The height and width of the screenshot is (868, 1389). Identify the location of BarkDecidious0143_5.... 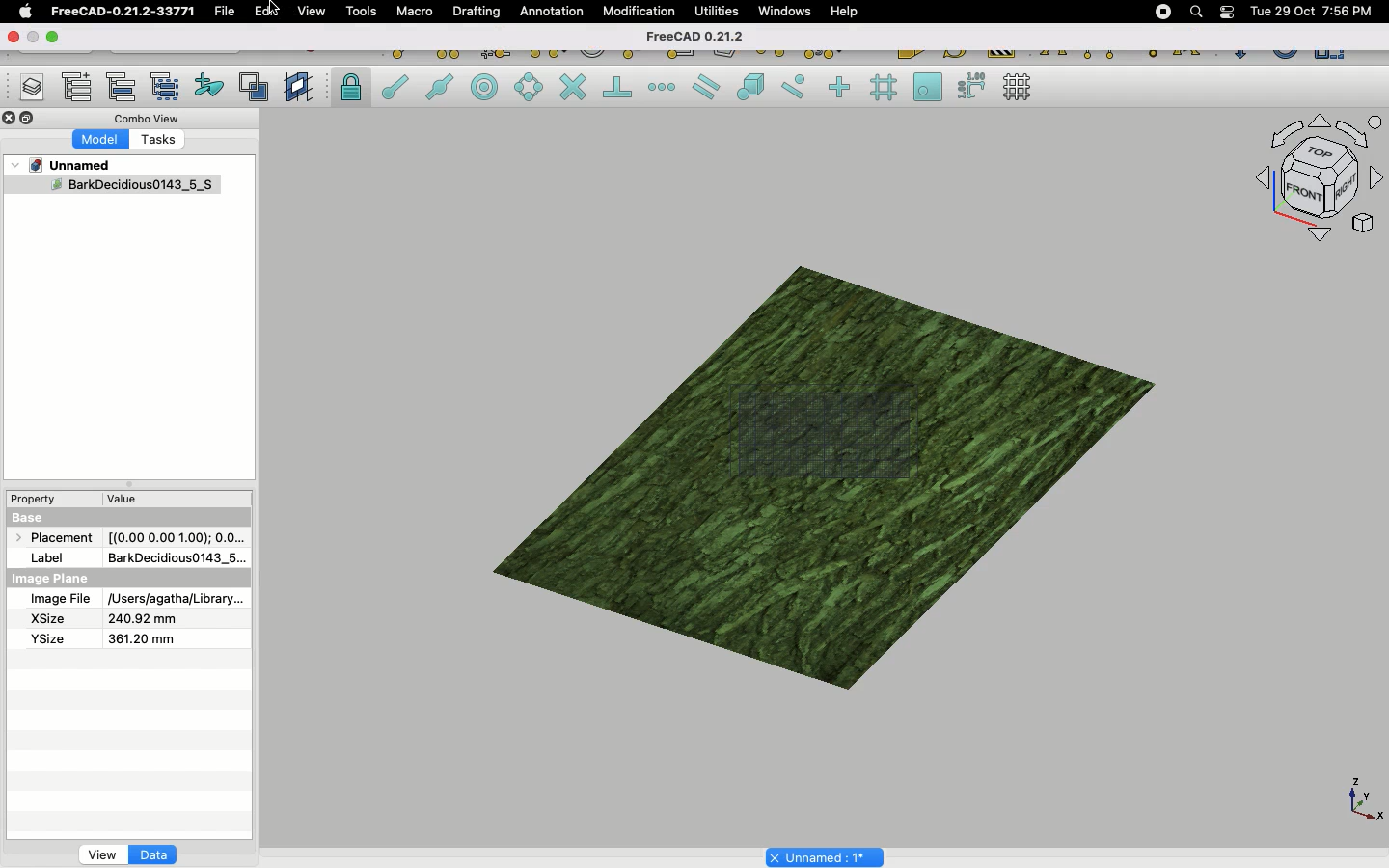
(175, 557).